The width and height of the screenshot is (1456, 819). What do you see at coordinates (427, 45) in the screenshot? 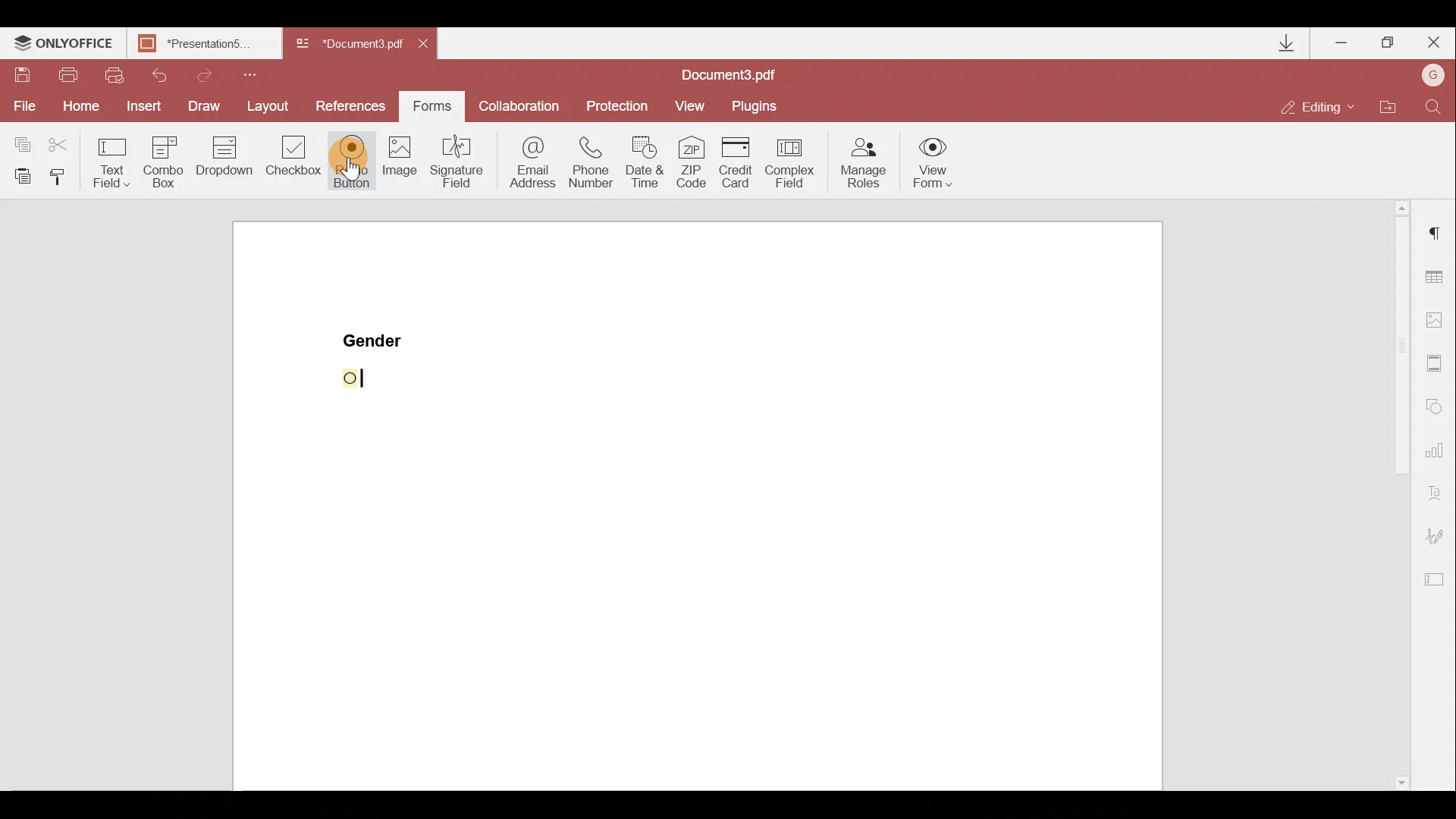
I see `Close document` at bounding box center [427, 45].